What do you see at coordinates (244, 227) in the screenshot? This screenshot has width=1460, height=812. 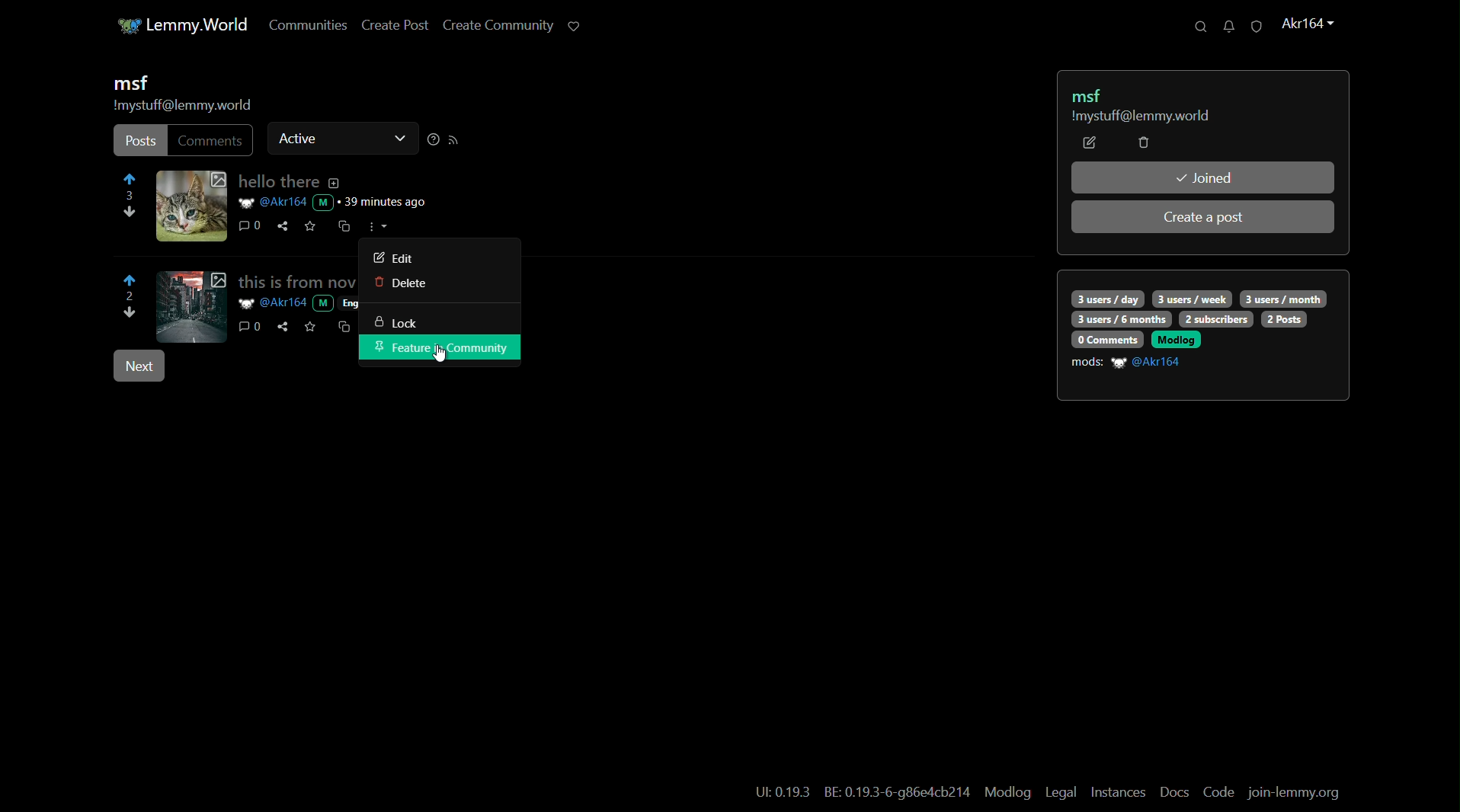 I see `comment` at bounding box center [244, 227].